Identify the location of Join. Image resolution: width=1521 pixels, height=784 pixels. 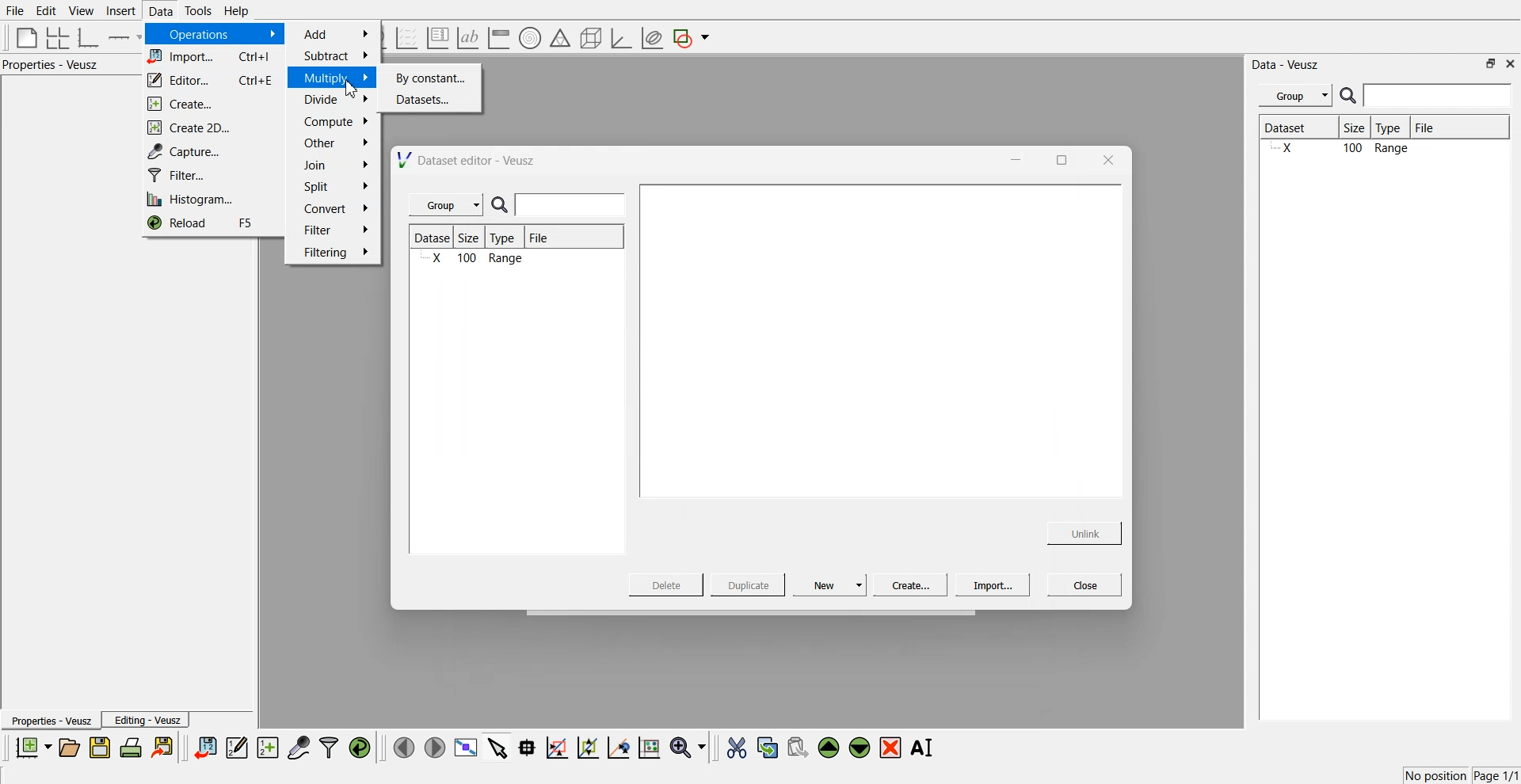
(337, 167).